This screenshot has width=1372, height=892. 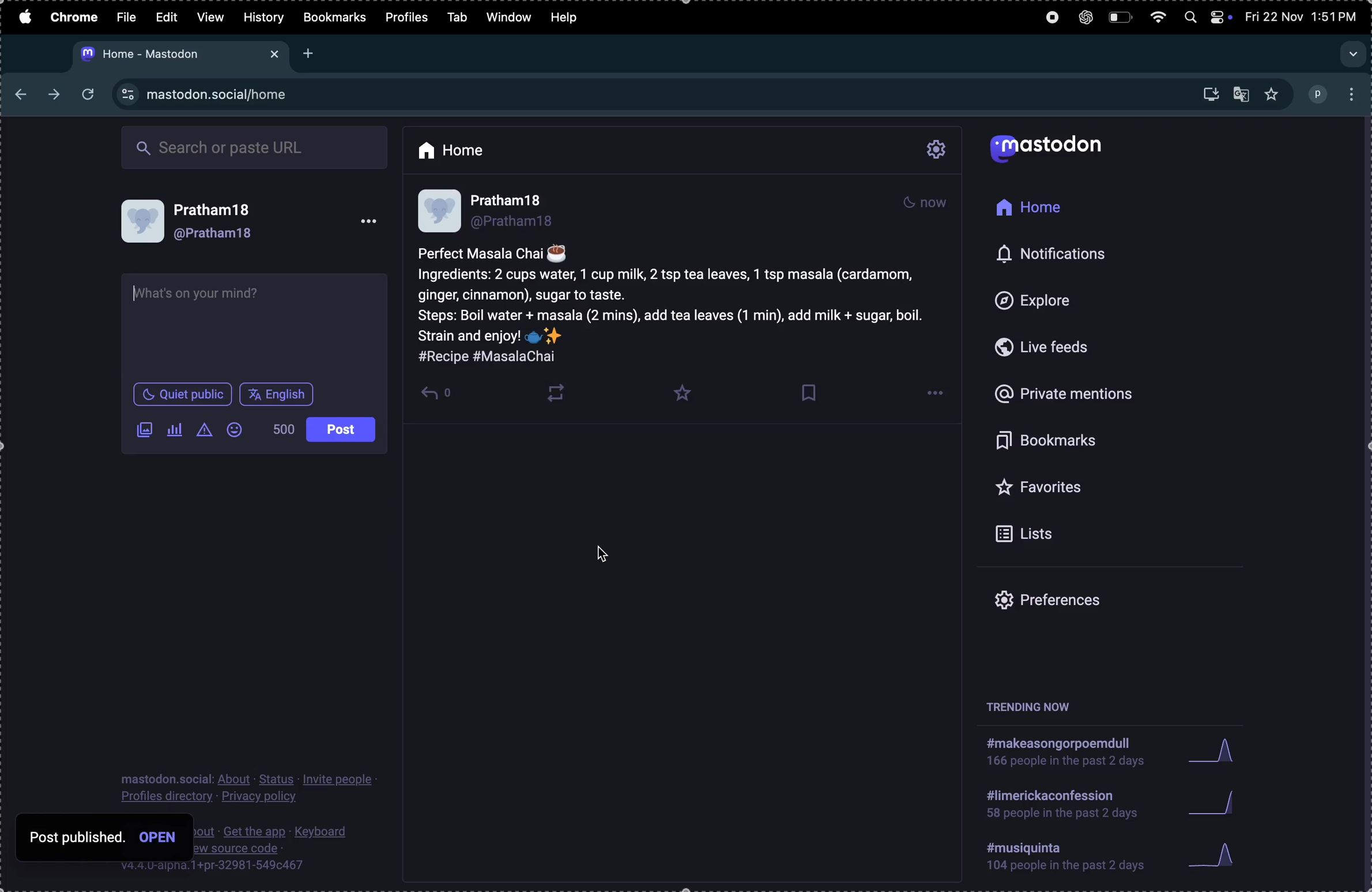 I want to click on home, so click(x=1047, y=210).